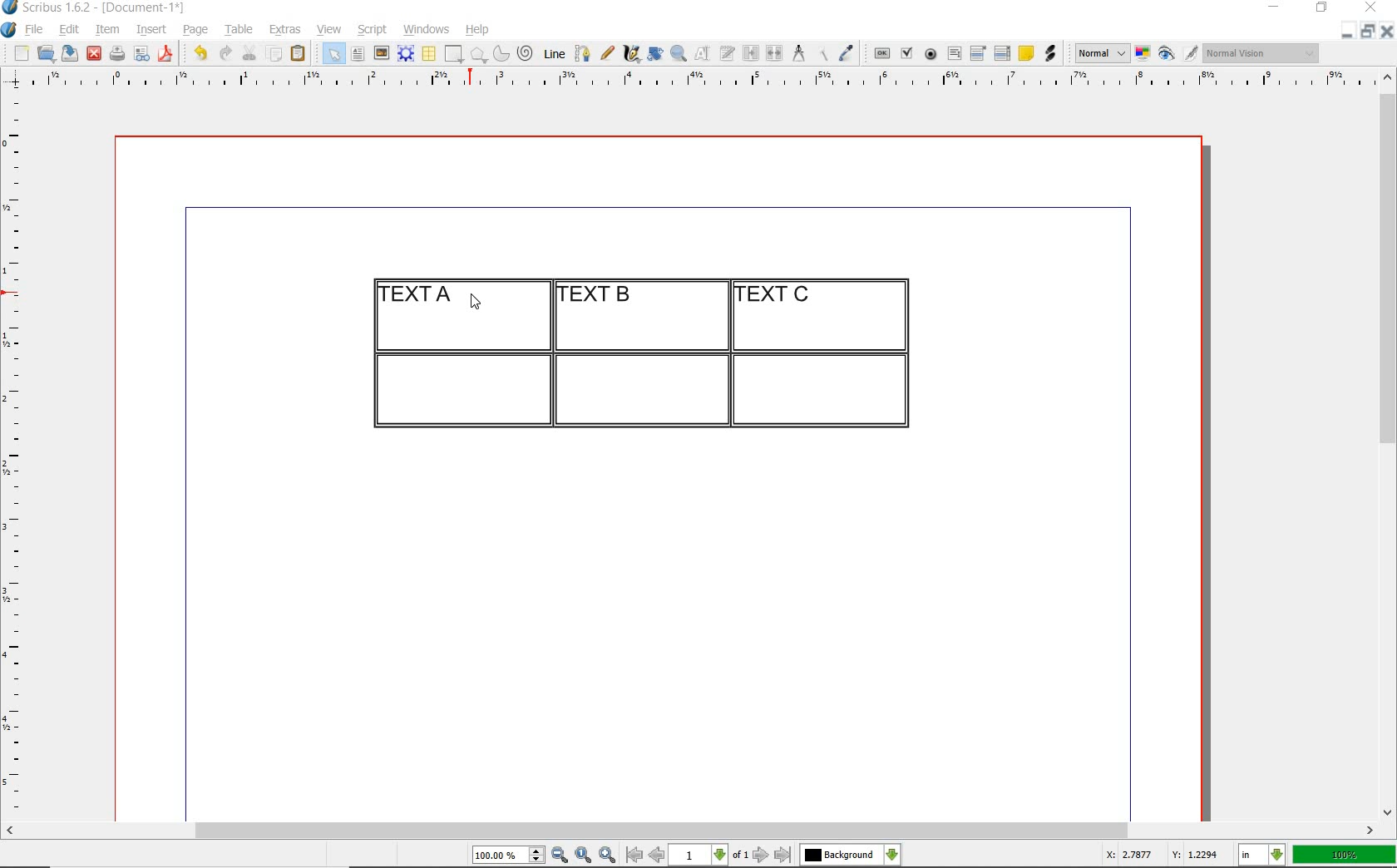 This screenshot has height=868, width=1397. I want to click on extras, so click(285, 31).